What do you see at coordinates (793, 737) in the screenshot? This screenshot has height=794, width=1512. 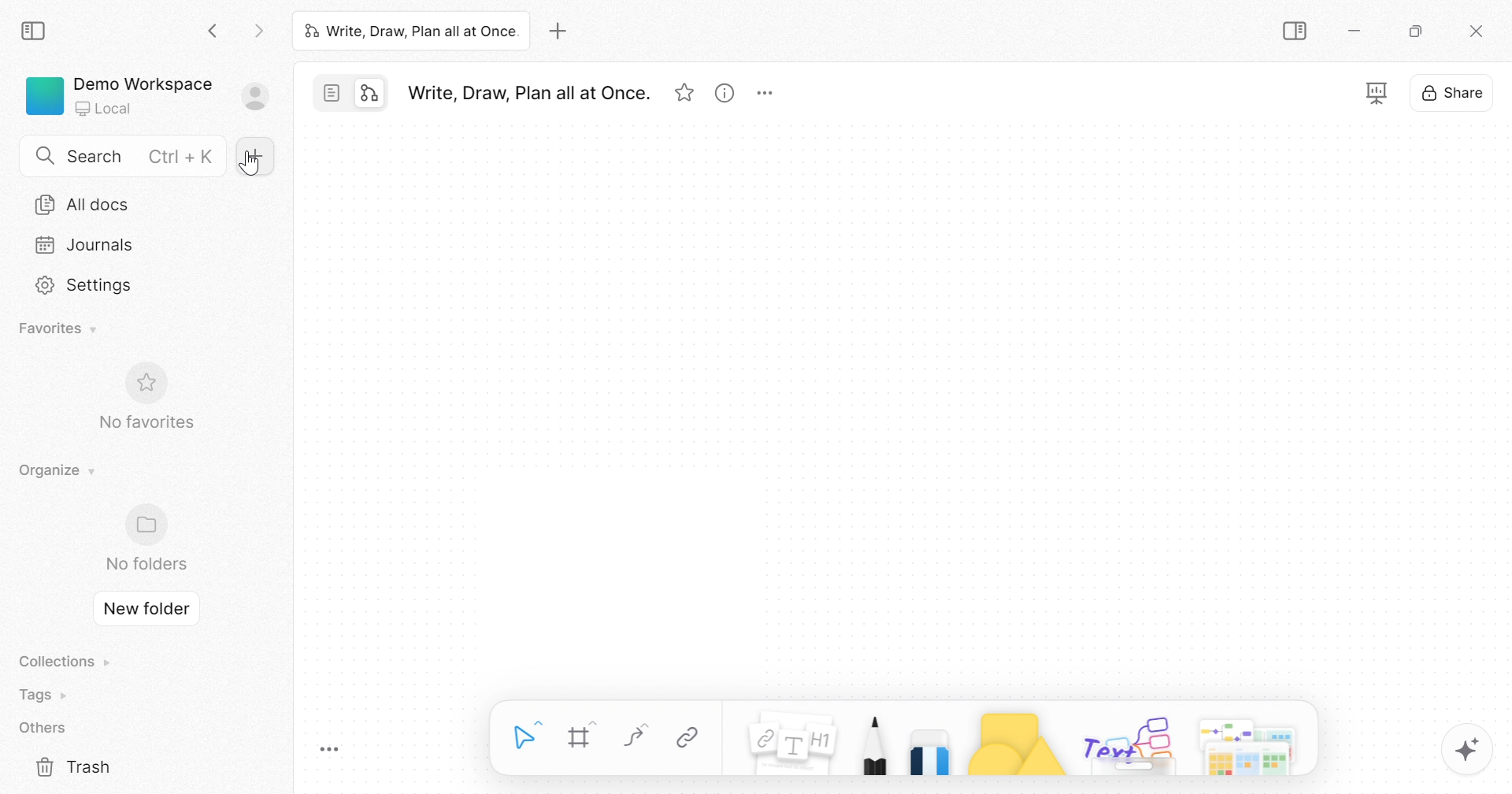 I see `Note` at bounding box center [793, 737].